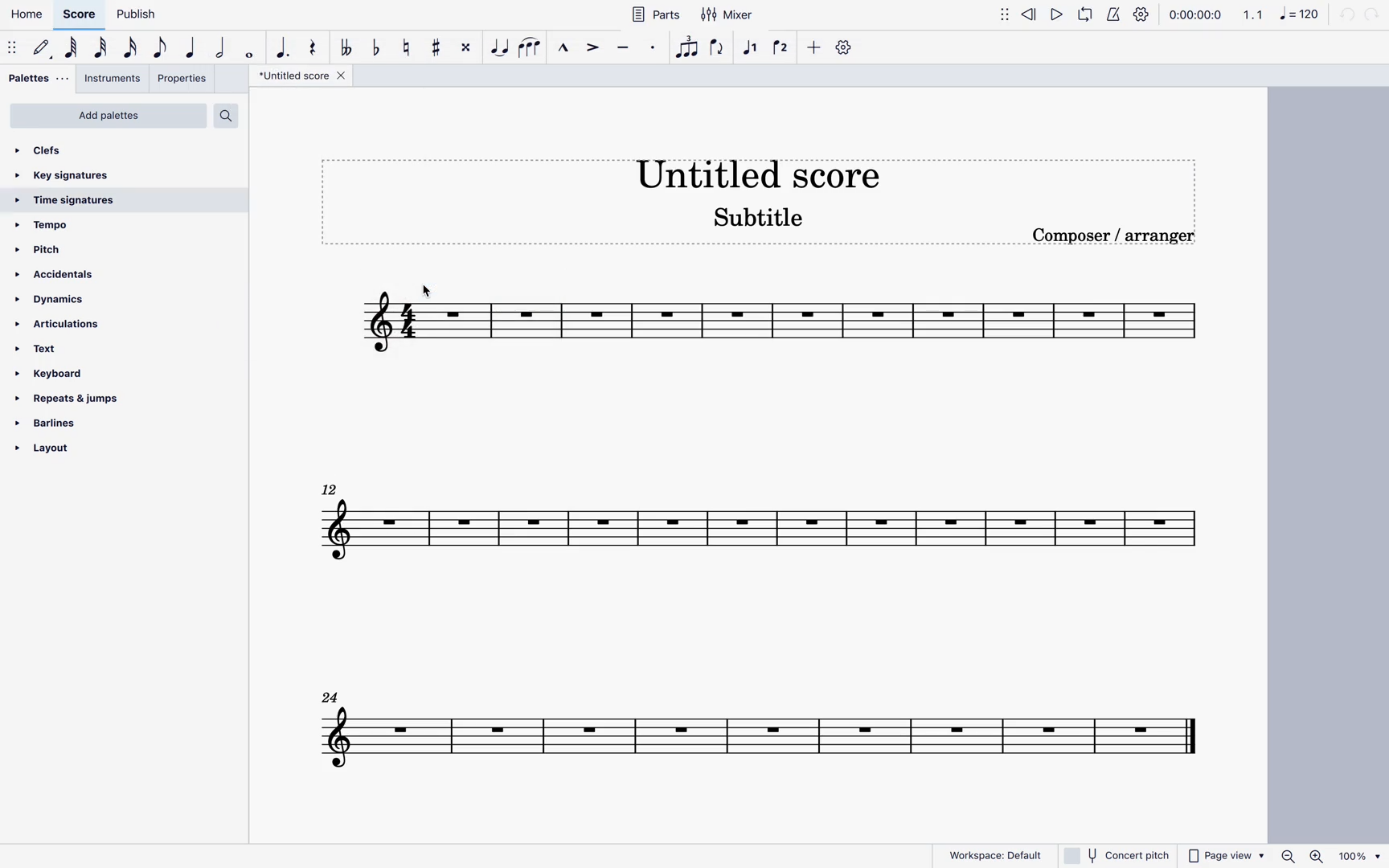 The height and width of the screenshot is (868, 1389). I want to click on cursor, so click(435, 287).